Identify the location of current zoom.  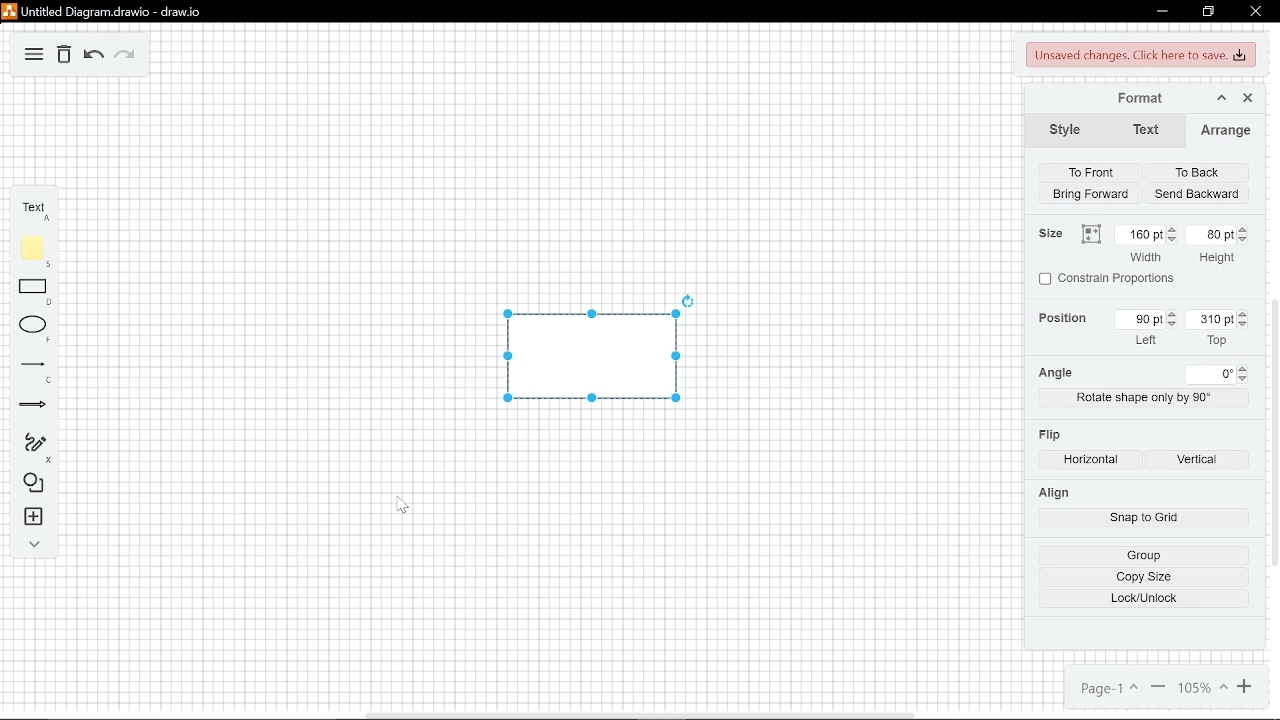
(1245, 686).